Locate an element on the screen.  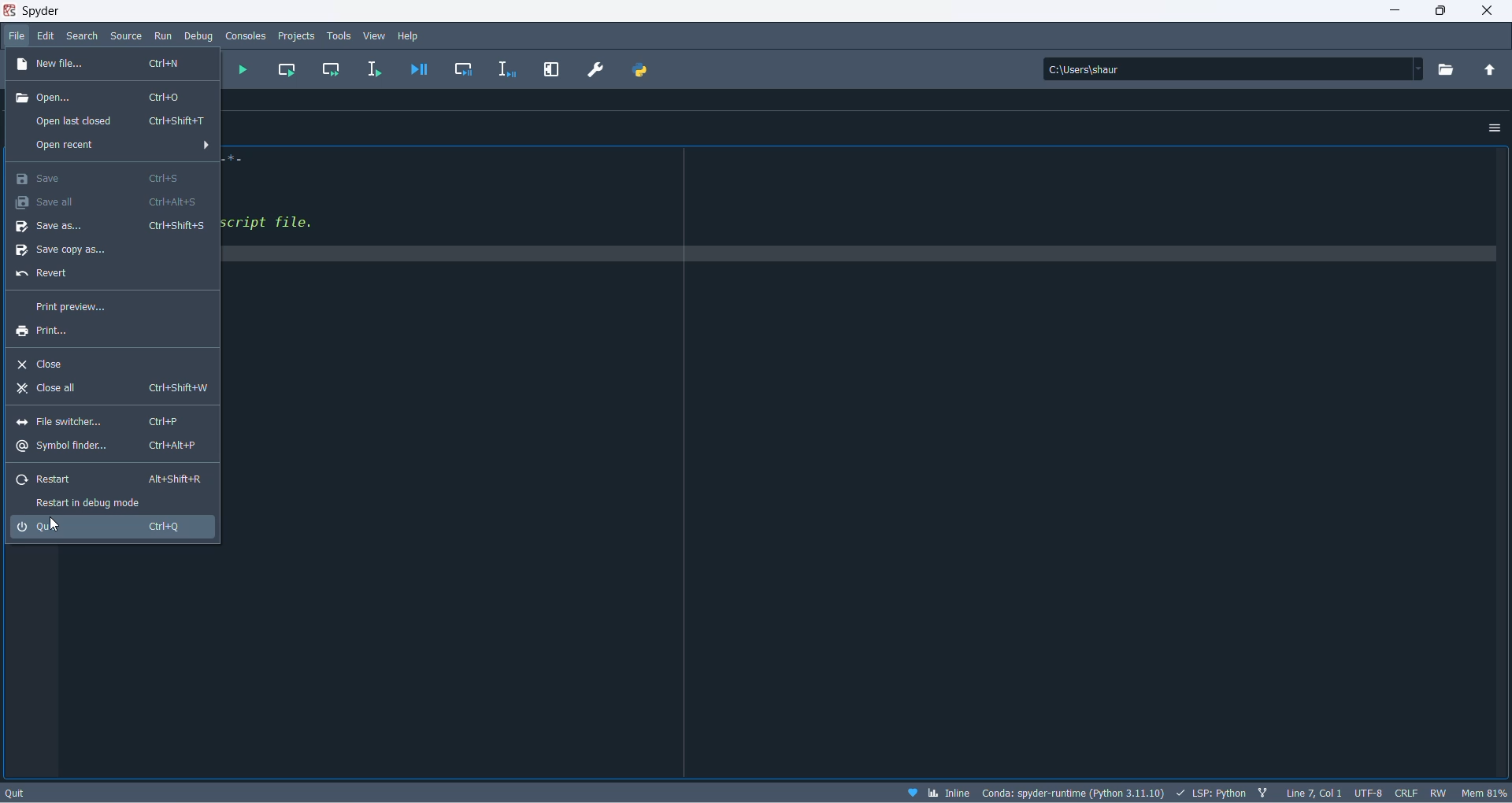
debug cell is located at coordinates (465, 72).